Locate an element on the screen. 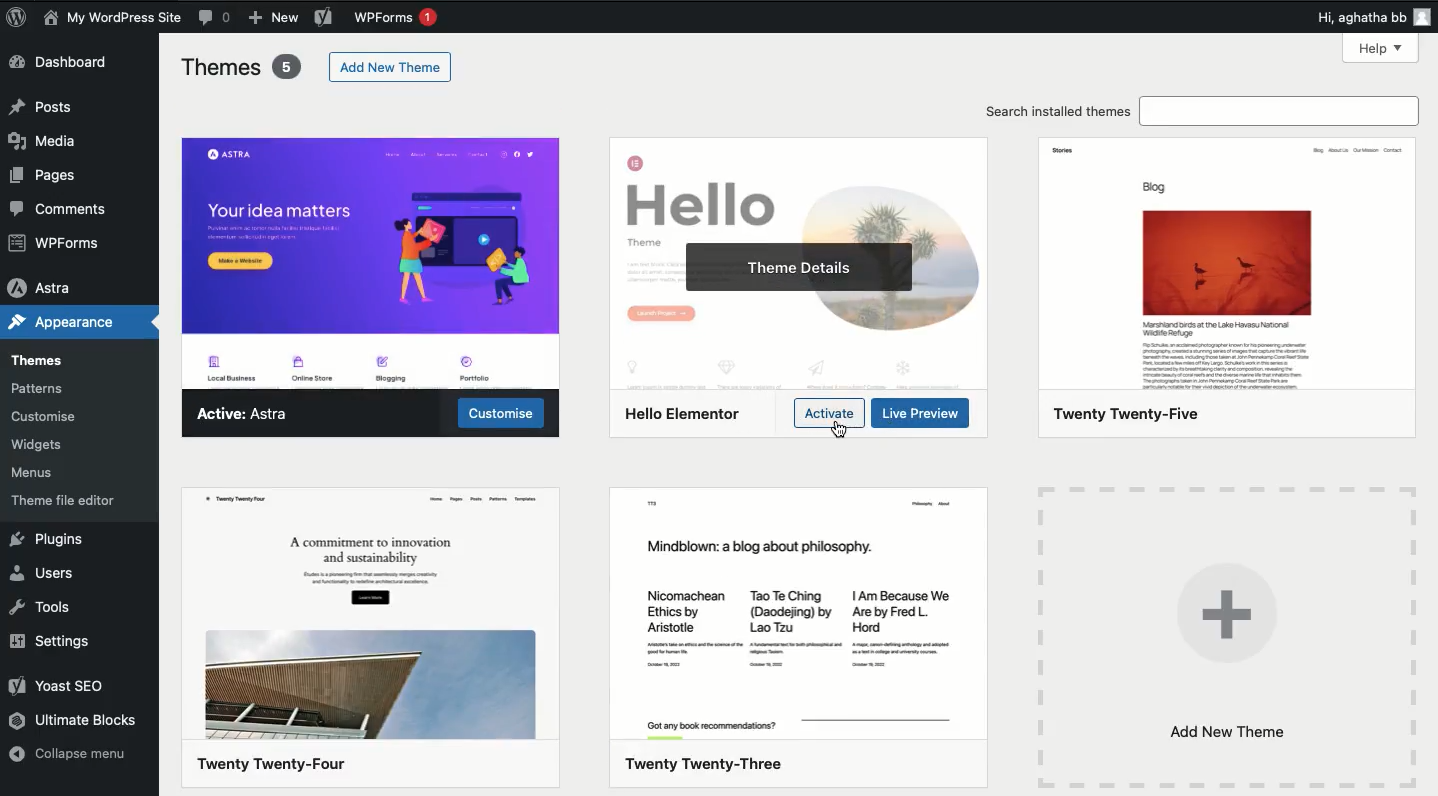 The image size is (1438, 796). 2025 is located at coordinates (1230, 285).